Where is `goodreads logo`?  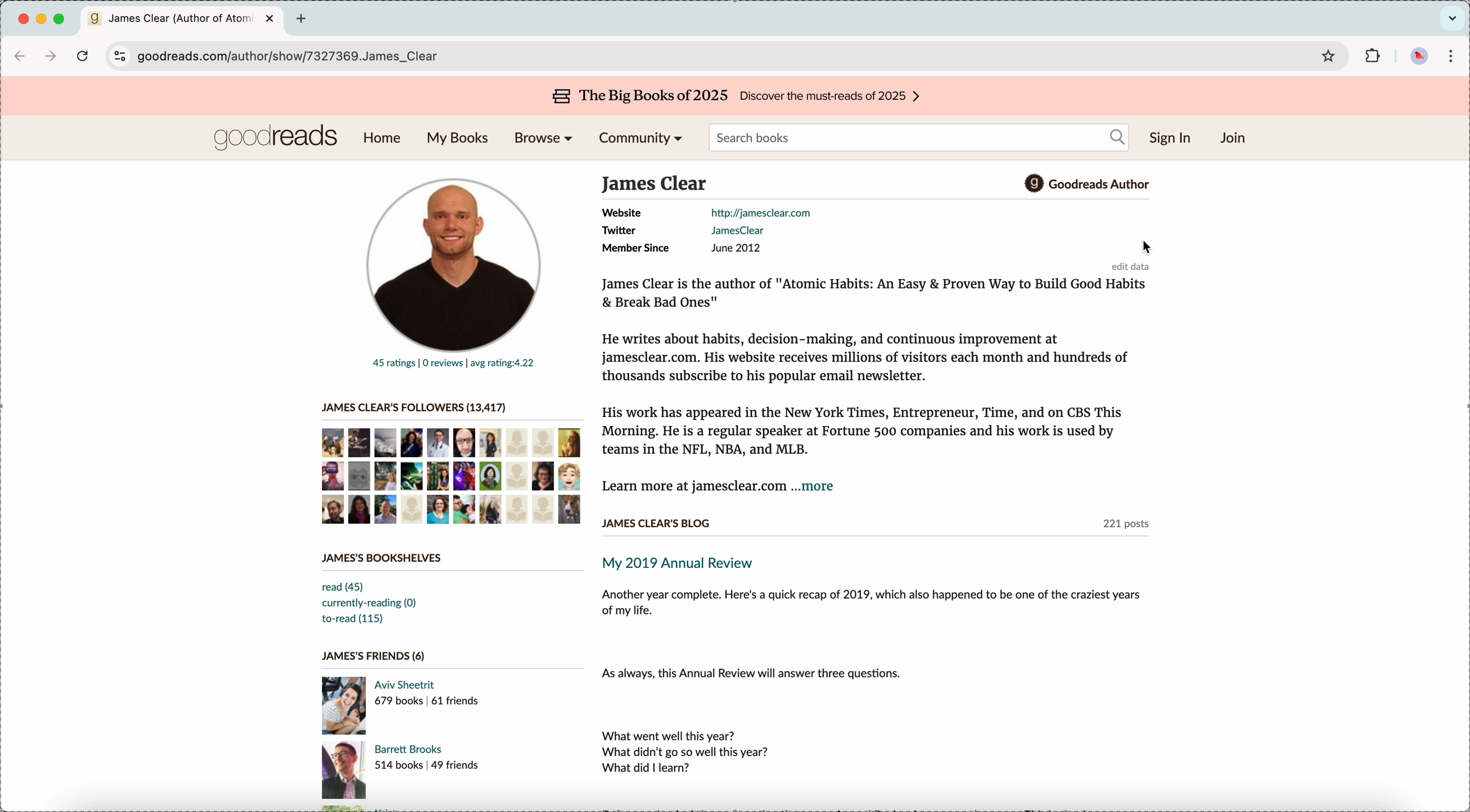 goodreads logo is located at coordinates (274, 139).